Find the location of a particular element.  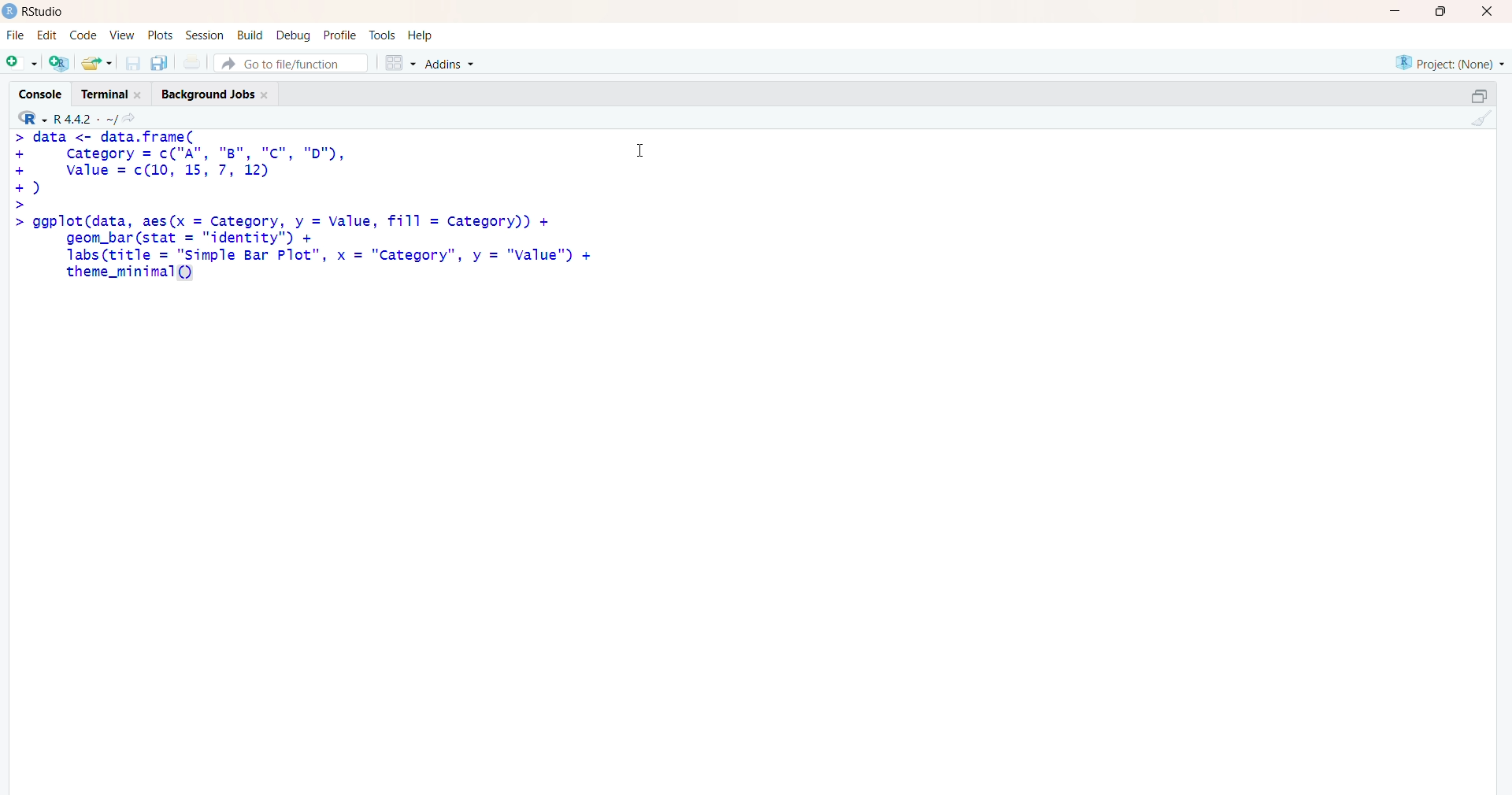

clear console is located at coordinates (1479, 118).